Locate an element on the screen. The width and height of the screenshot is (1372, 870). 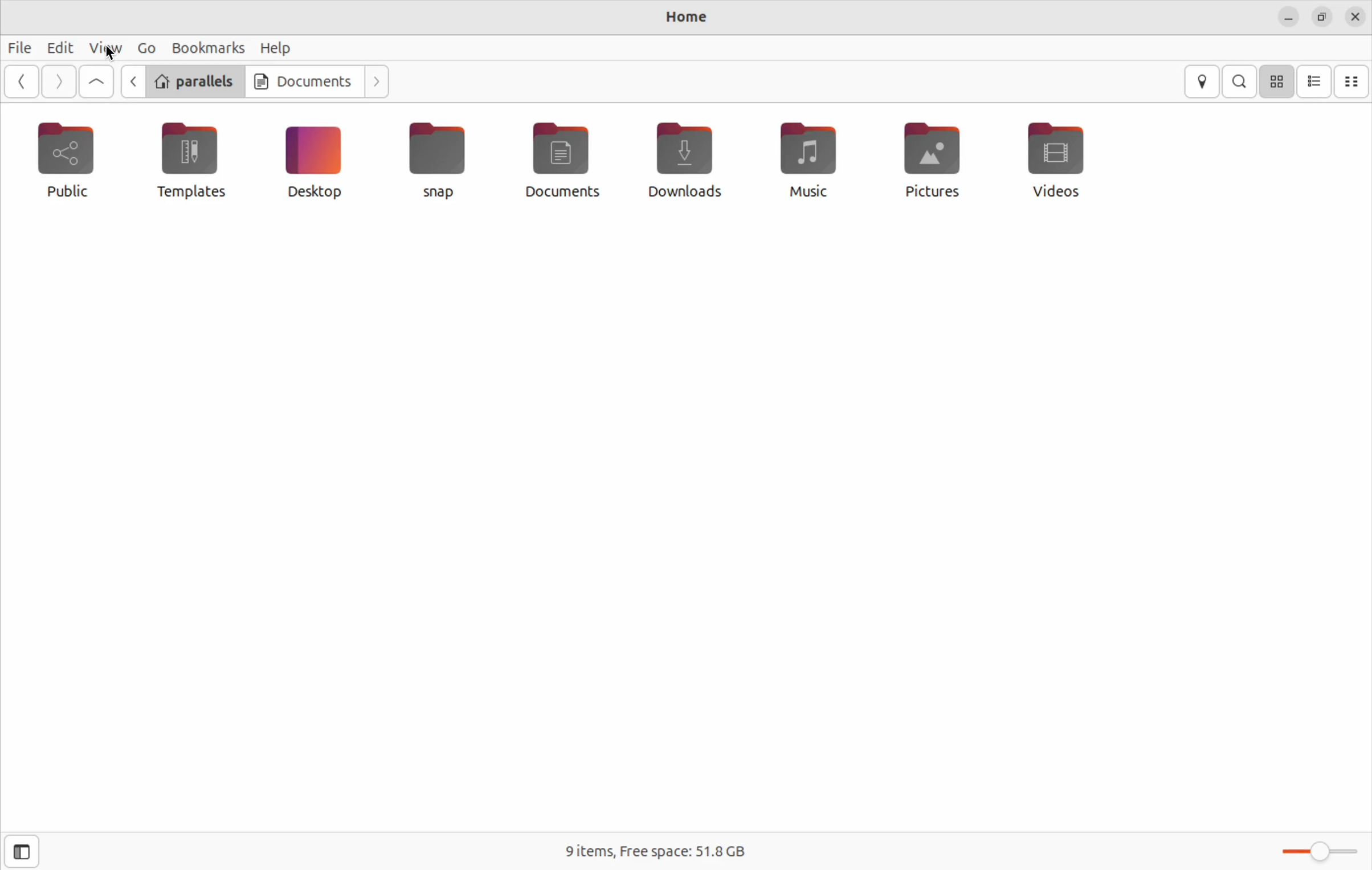
public  is located at coordinates (68, 160).